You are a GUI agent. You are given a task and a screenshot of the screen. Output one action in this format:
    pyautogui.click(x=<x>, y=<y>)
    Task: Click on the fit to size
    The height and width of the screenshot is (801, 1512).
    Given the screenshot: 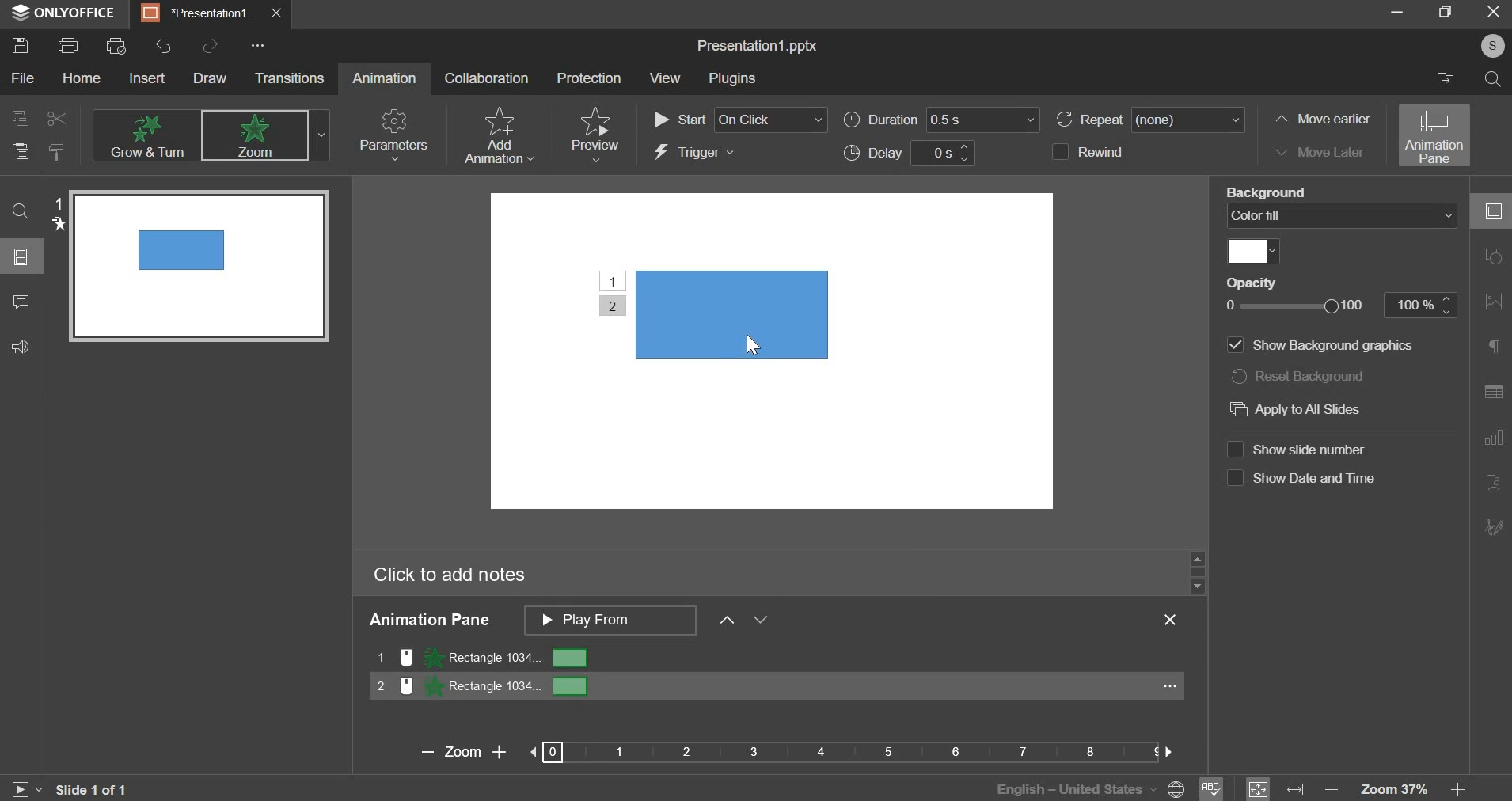 What is the action you would take?
    pyautogui.click(x=1259, y=788)
    